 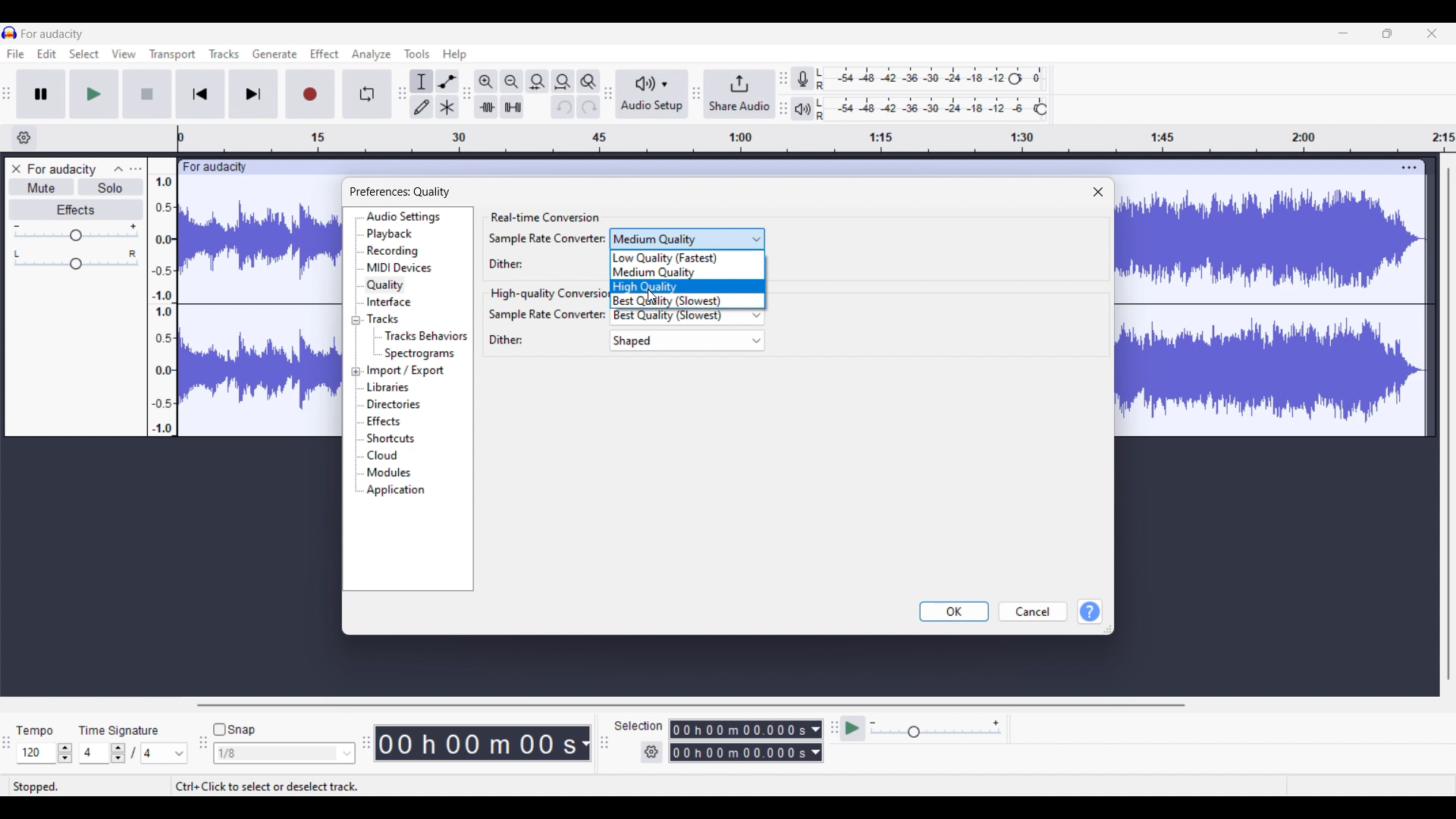 I want to click on Tracks behaviors, so click(x=425, y=336).